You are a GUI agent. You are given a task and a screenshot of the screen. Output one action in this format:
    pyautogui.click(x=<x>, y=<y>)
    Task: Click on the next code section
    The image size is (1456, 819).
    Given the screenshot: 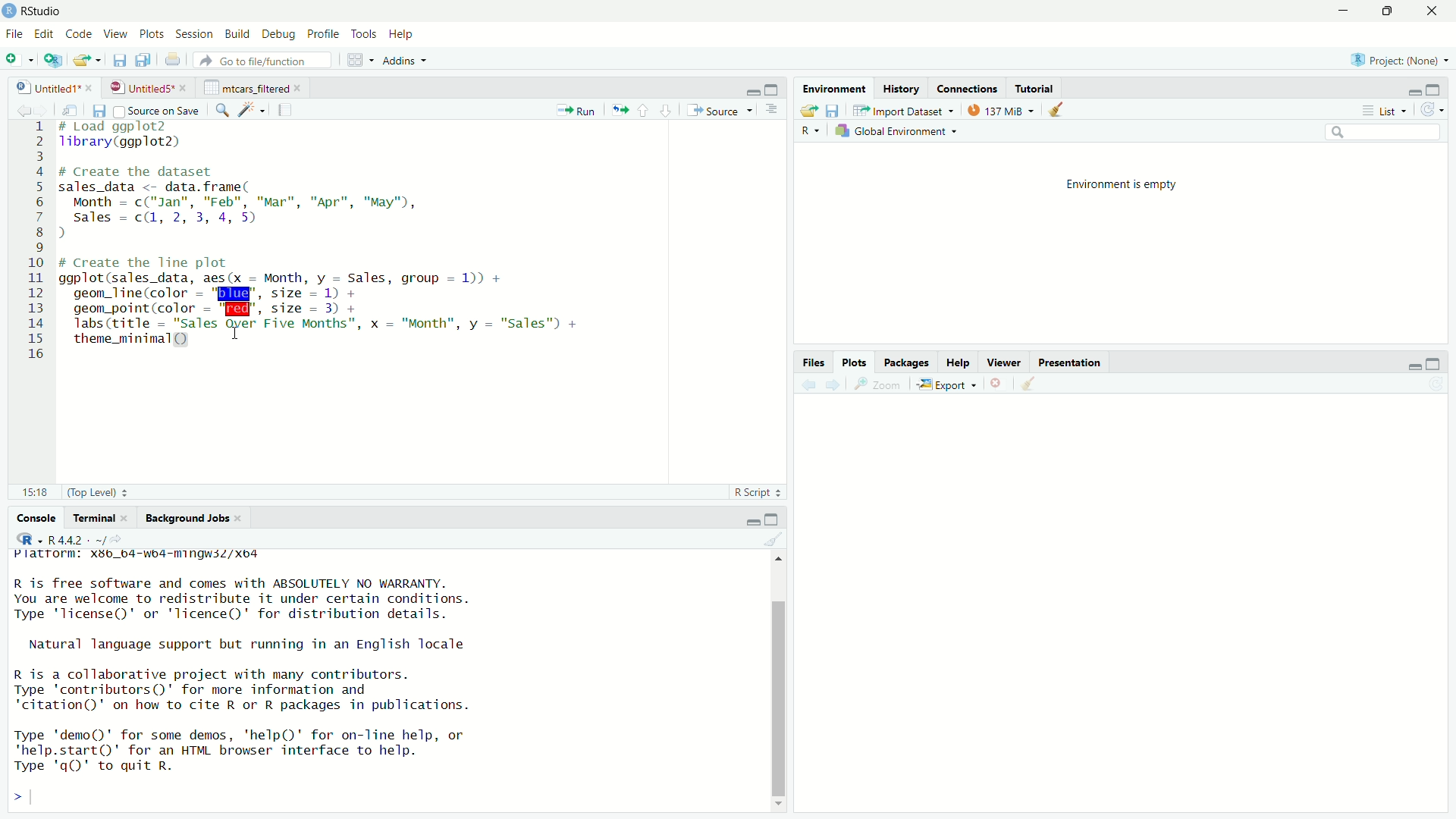 What is the action you would take?
    pyautogui.click(x=667, y=110)
    